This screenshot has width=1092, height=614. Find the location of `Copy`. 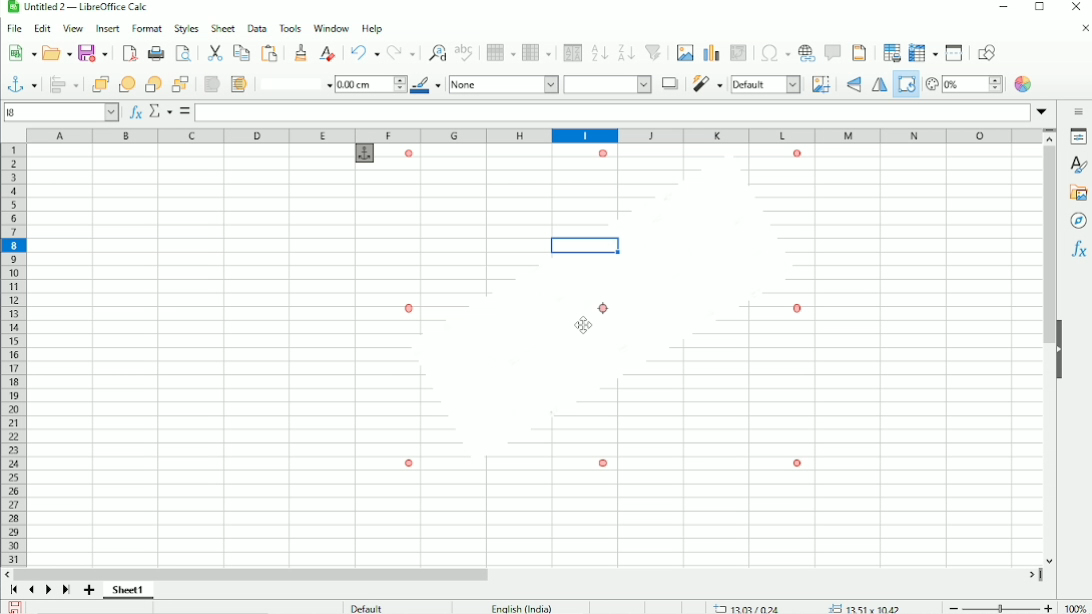

Copy is located at coordinates (241, 52).